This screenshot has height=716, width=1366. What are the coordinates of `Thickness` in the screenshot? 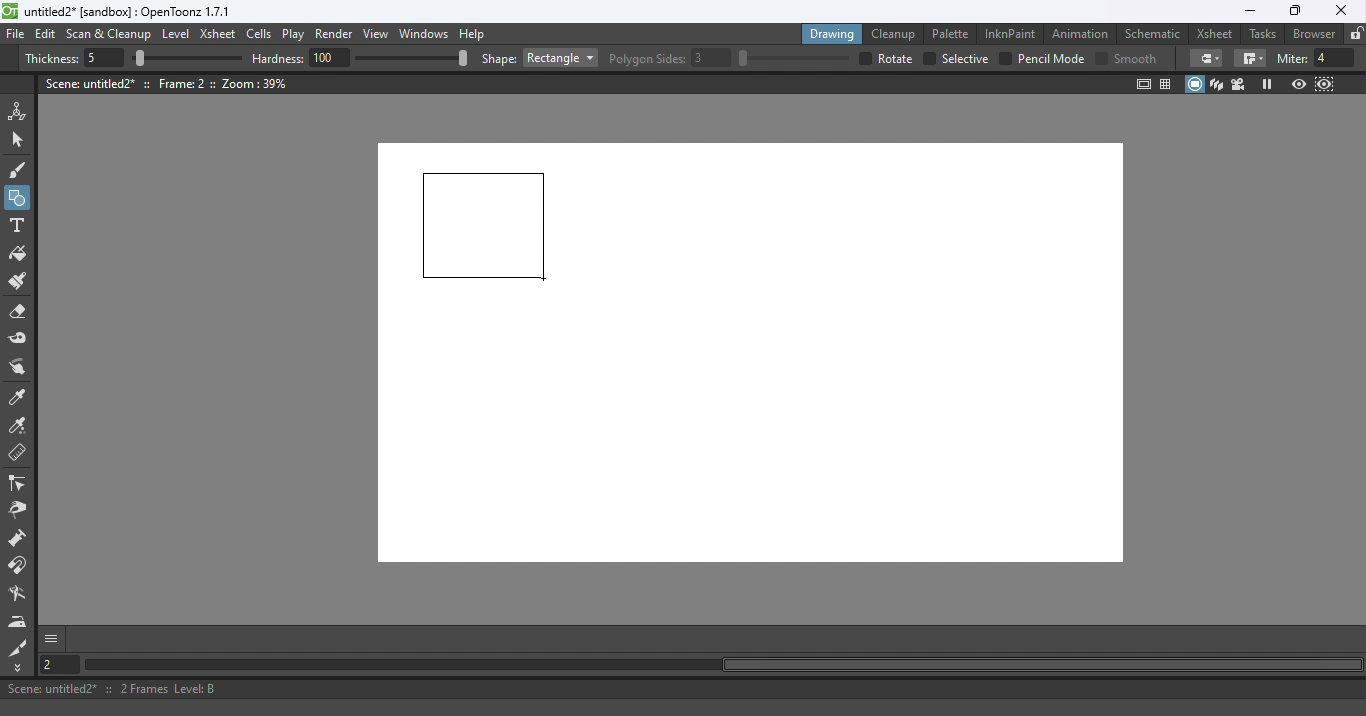 It's located at (51, 59).